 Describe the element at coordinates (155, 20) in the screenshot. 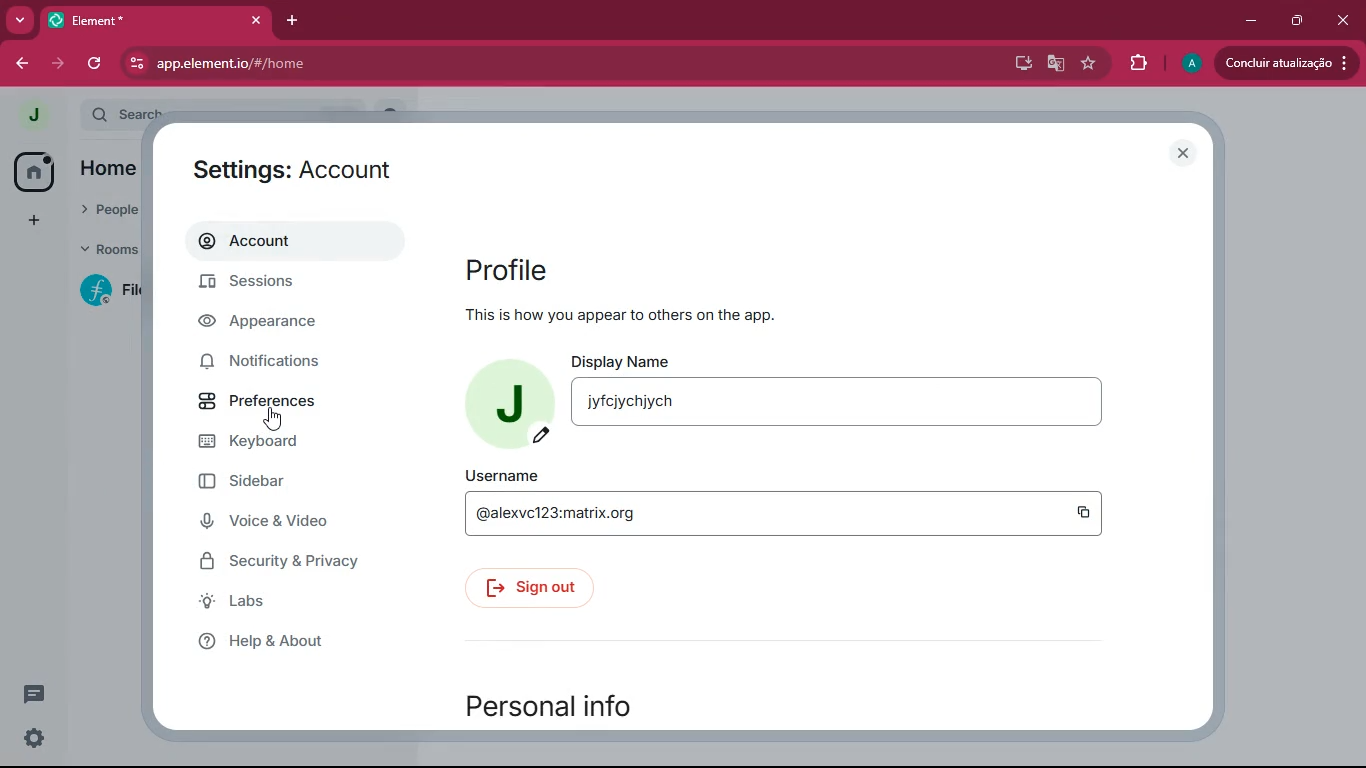

I see `element` at that location.